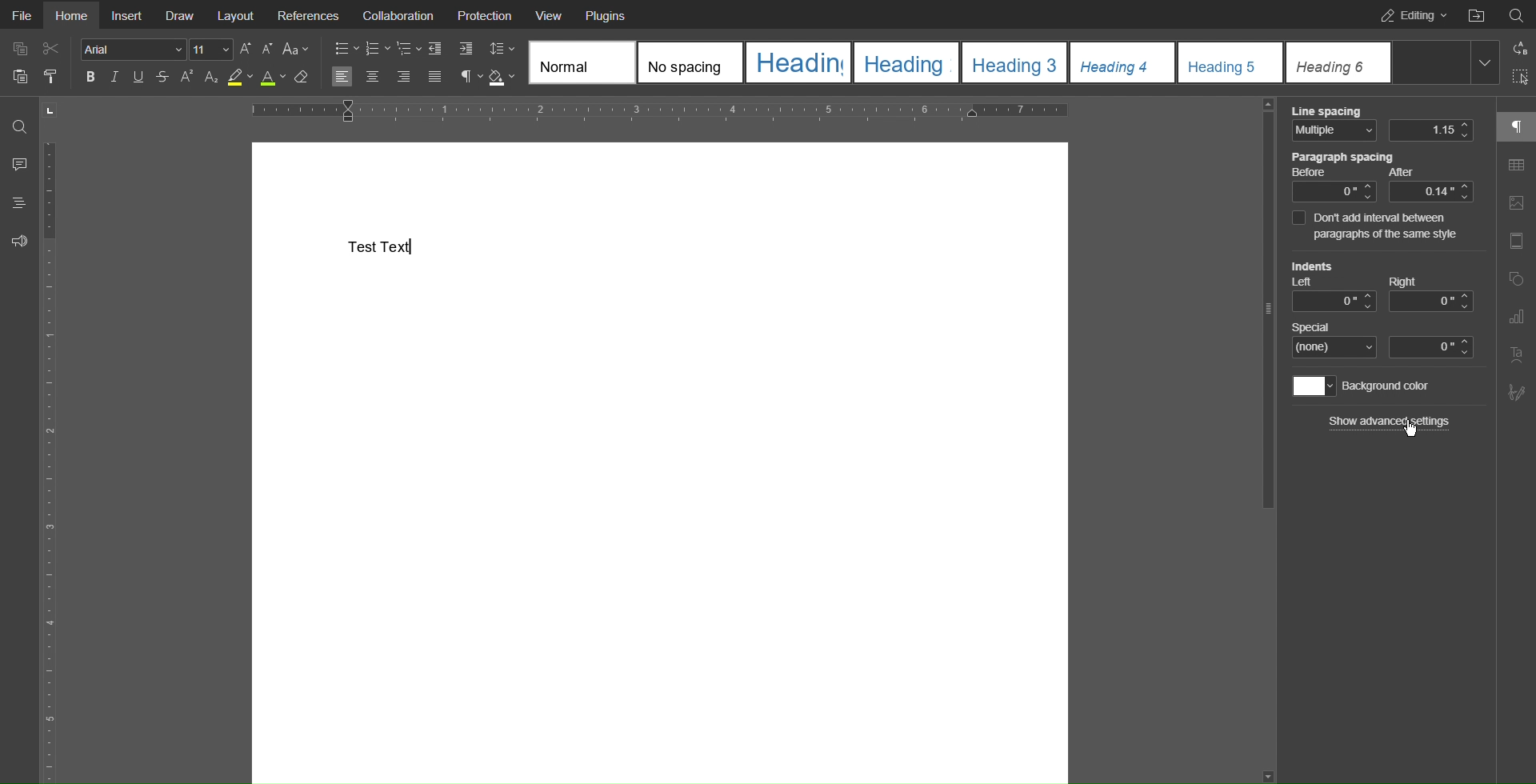 The width and height of the screenshot is (1536, 784). What do you see at coordinates (161, 78) in the screenshot?
I see `Strikethrough` at bounding box center [161, 78].